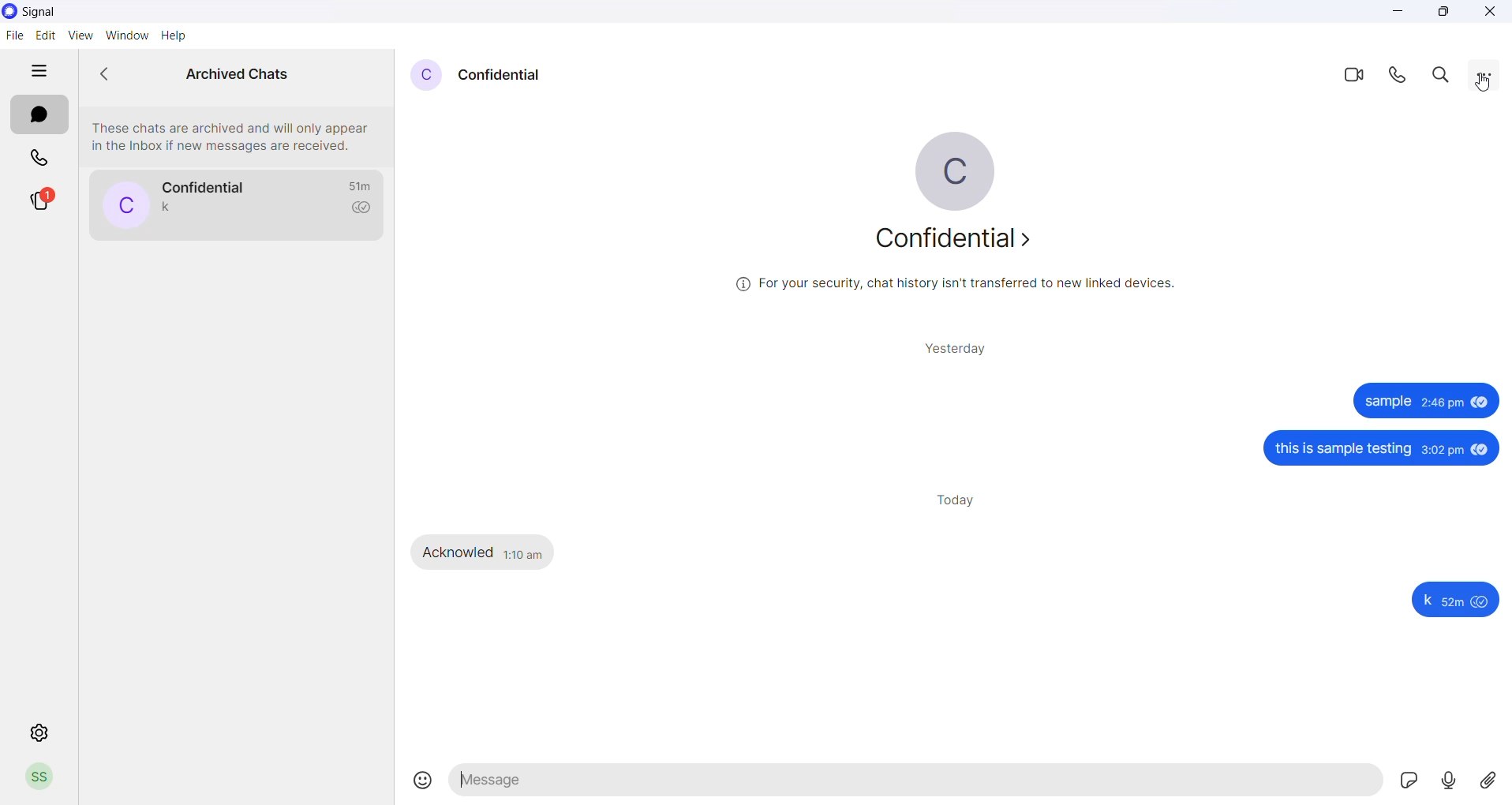 The image size is (1512, 805). I want to click on Acknowled, so click(458, 552).